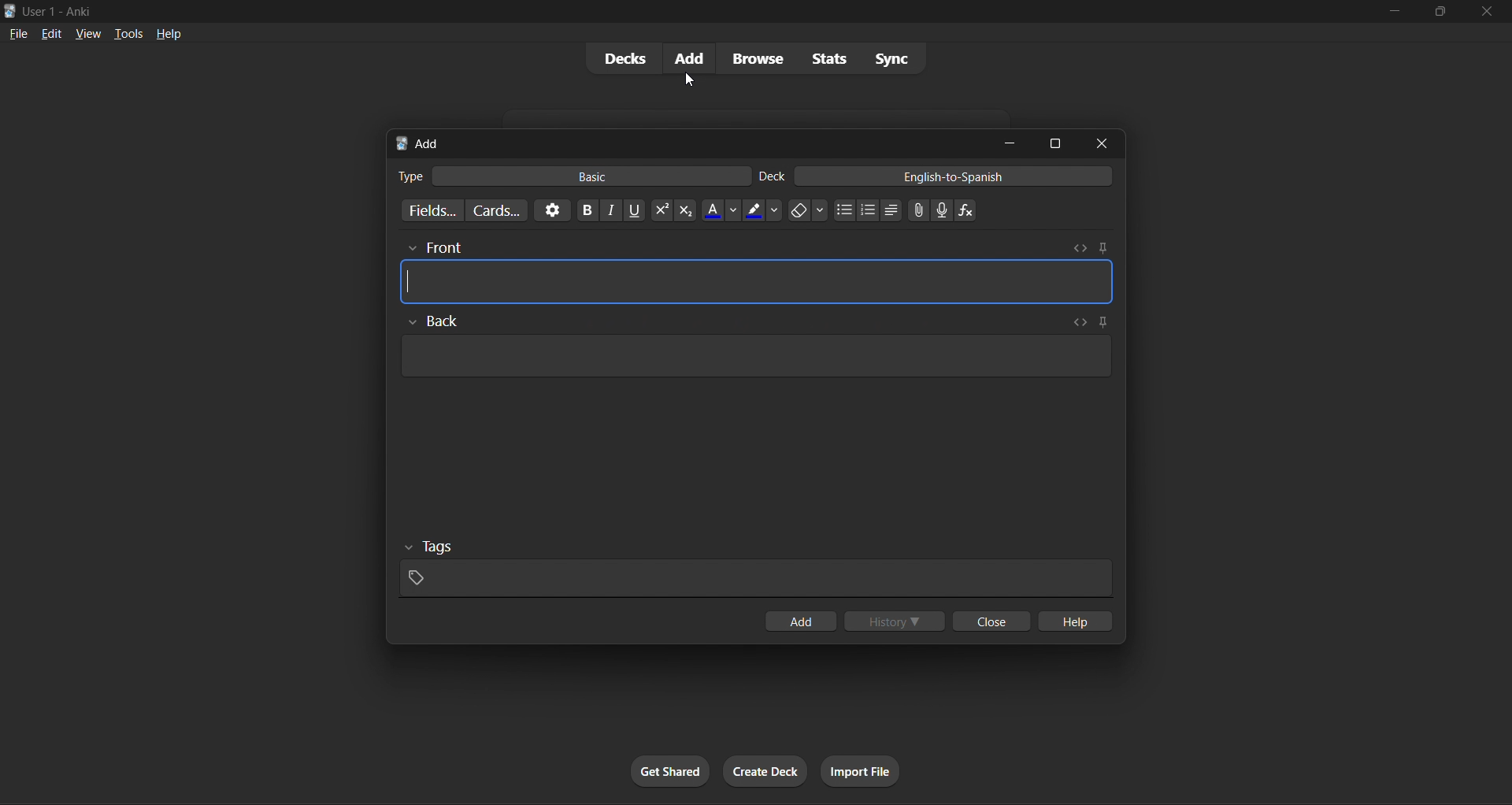  What do you see at coordinates (802, 621) in the screenshot?
I see `add` at bounding box center [802, 621].